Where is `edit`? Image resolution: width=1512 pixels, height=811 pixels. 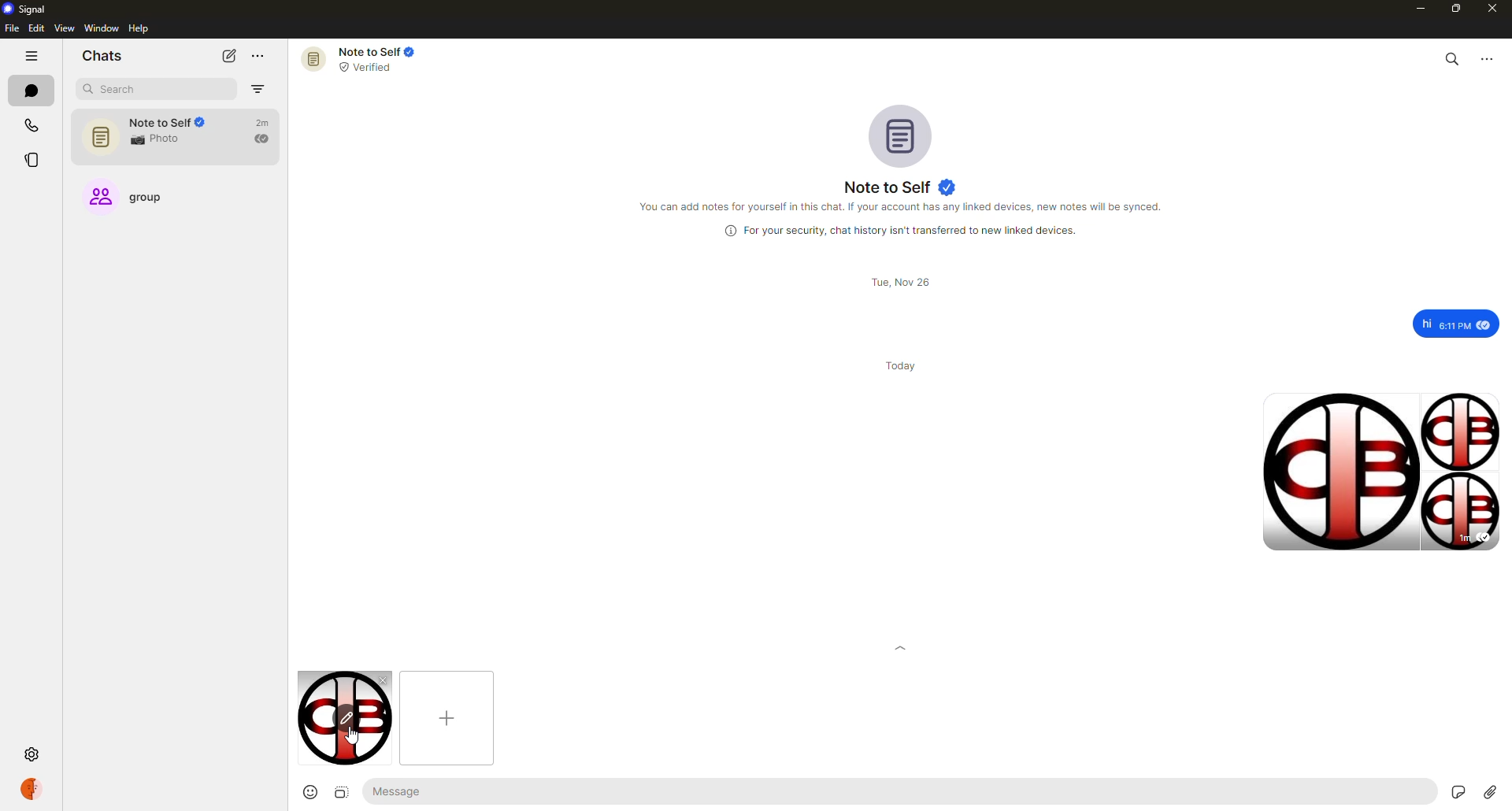 edit is located at coordinates (36, 28).